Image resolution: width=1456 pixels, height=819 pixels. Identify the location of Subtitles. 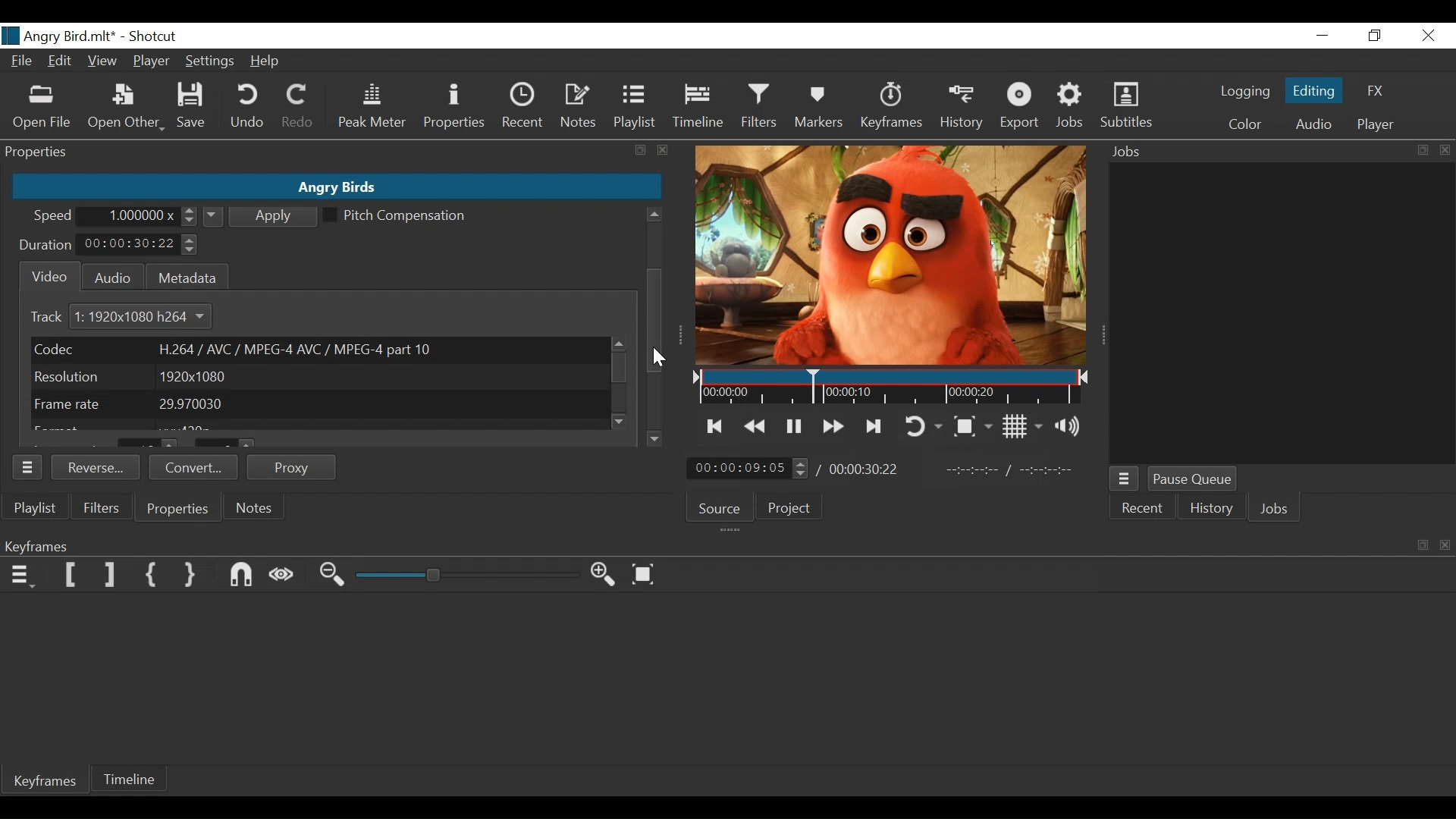
(1127, 108).